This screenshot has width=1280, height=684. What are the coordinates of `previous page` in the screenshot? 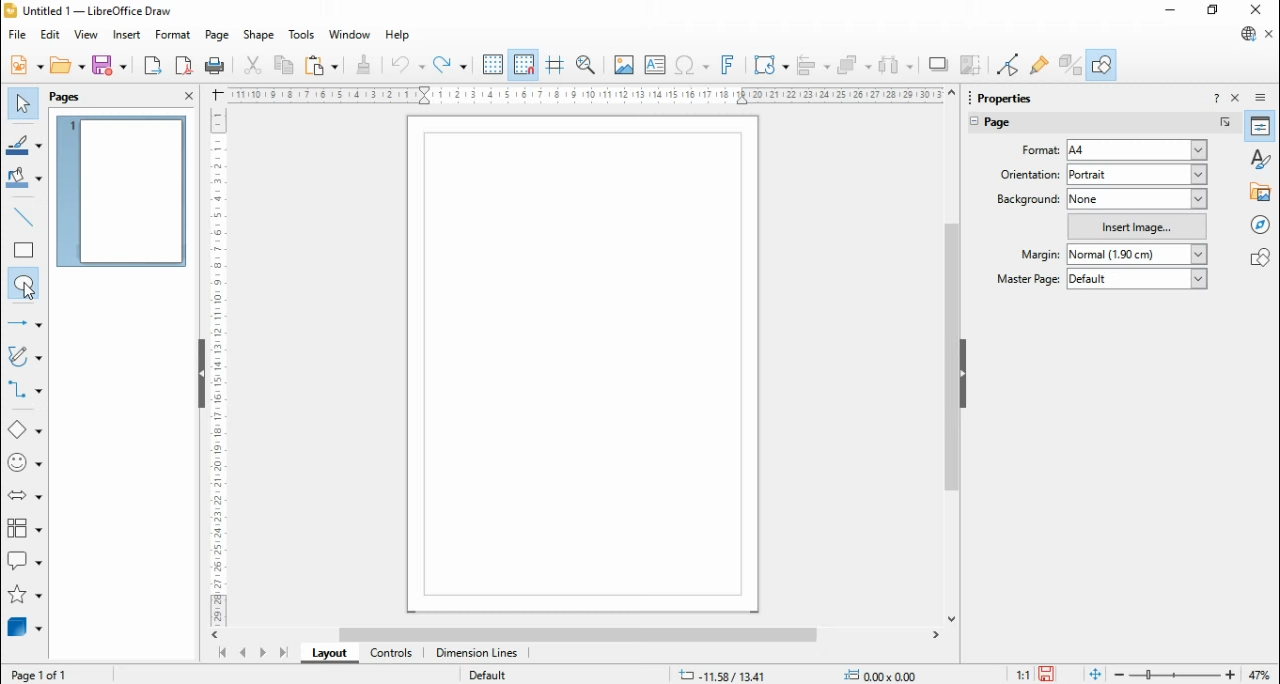 It's located at (244, 653).